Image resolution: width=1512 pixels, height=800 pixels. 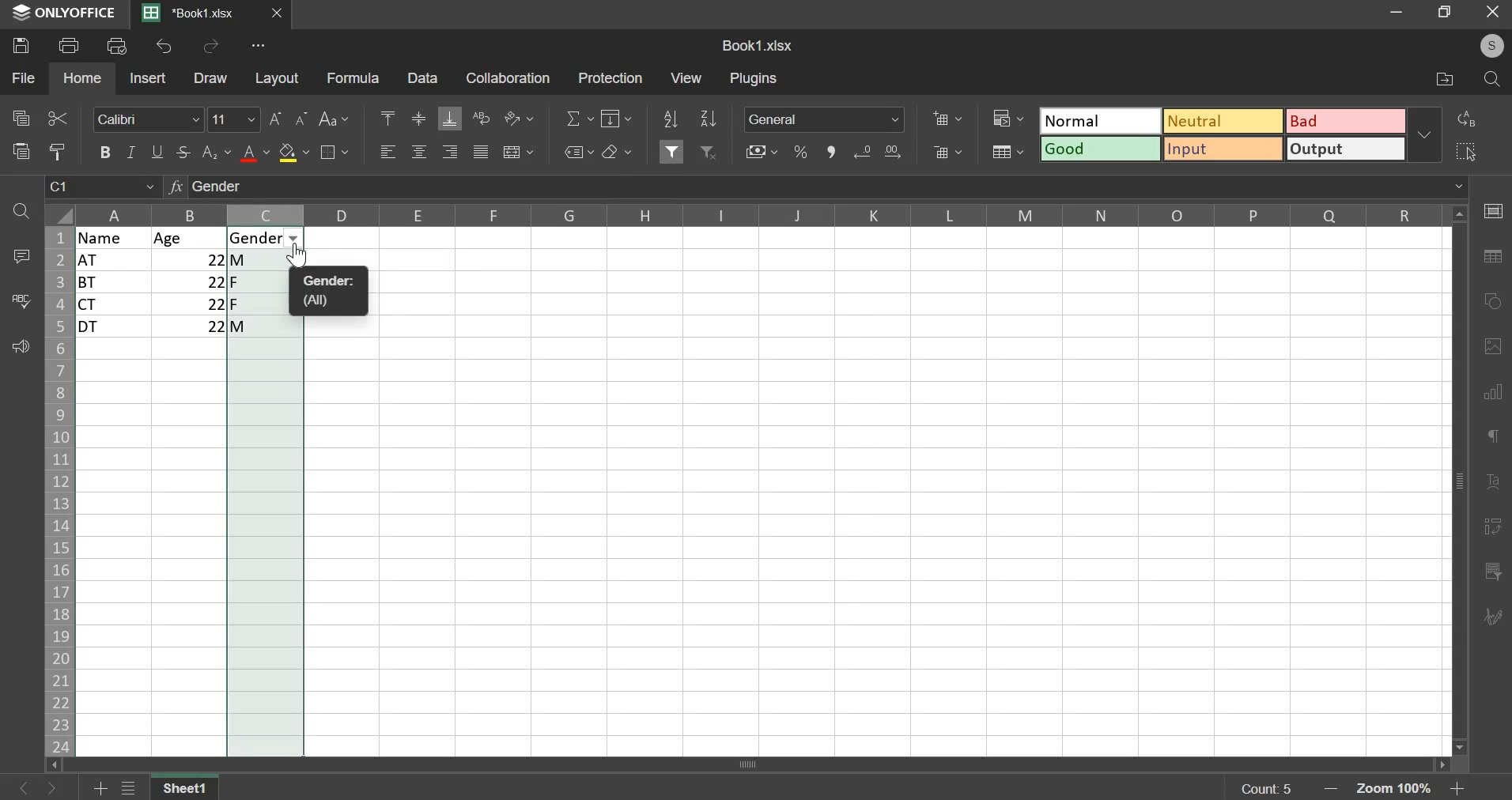 I want to click on print preview, so click(x=117, y=44).